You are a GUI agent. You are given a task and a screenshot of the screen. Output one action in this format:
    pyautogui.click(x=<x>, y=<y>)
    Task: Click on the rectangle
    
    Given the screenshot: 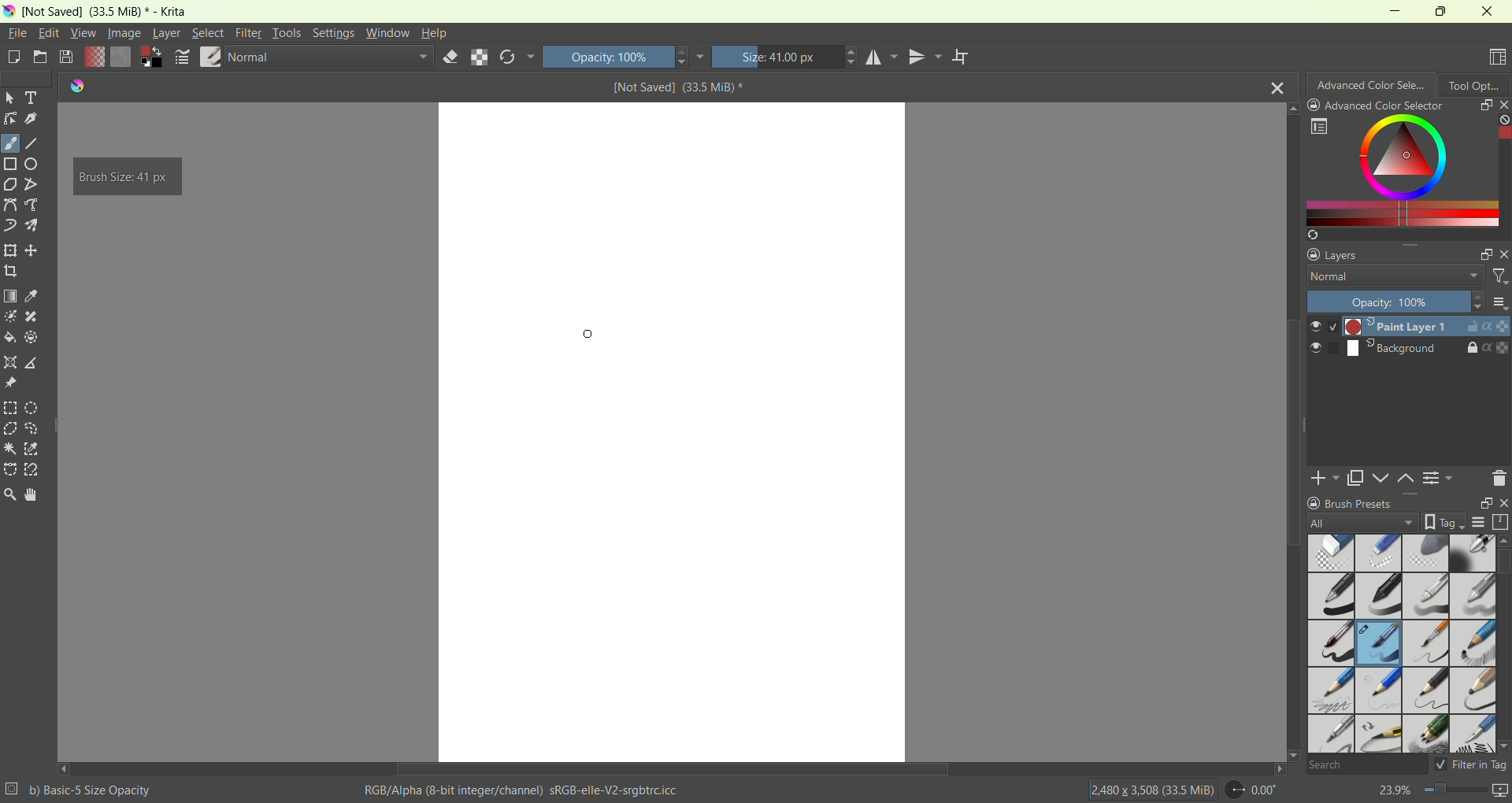 What is the action you would take?
    pyautogui.click(x=11, y=165)
    